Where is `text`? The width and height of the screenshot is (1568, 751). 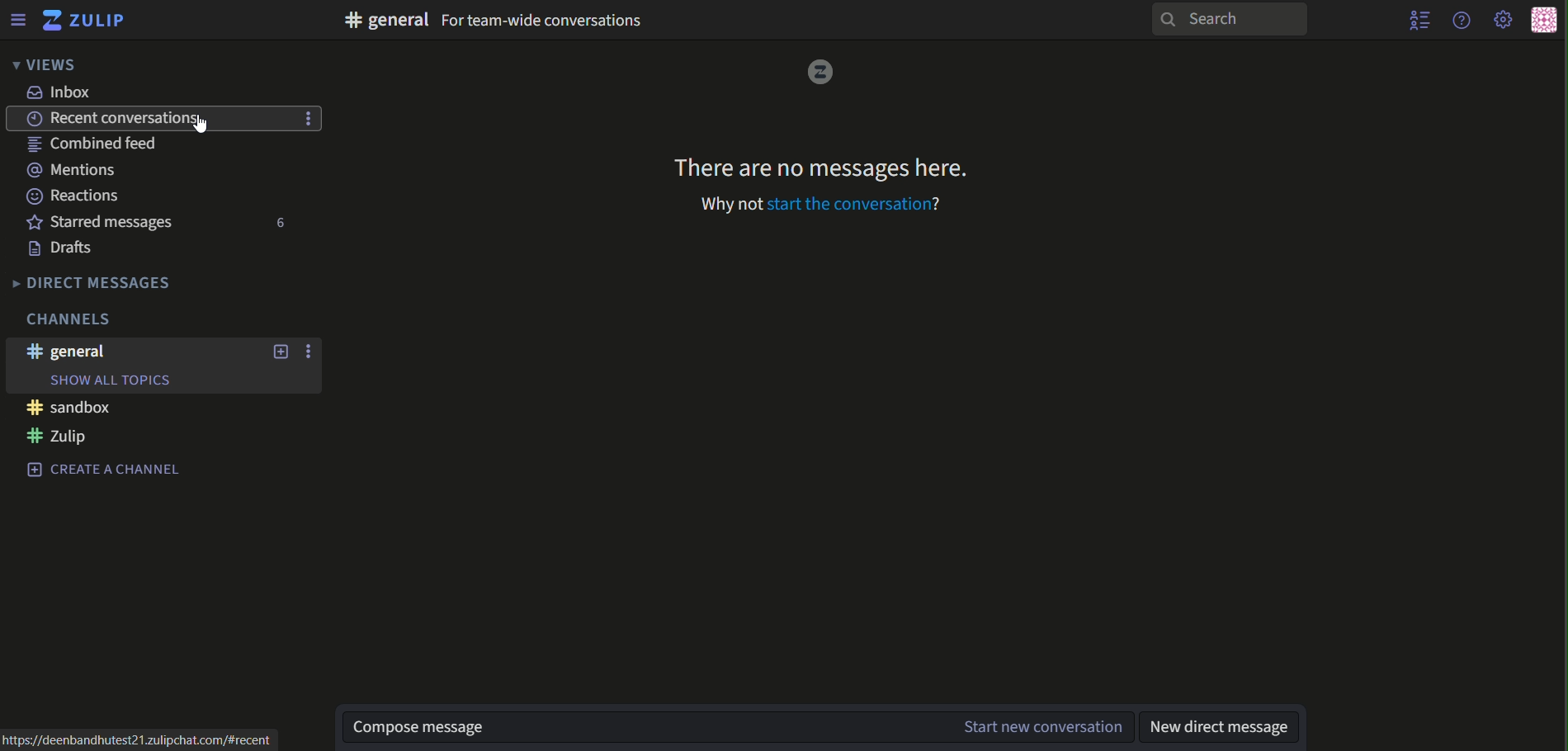
text is located at coordinates (163, 119).